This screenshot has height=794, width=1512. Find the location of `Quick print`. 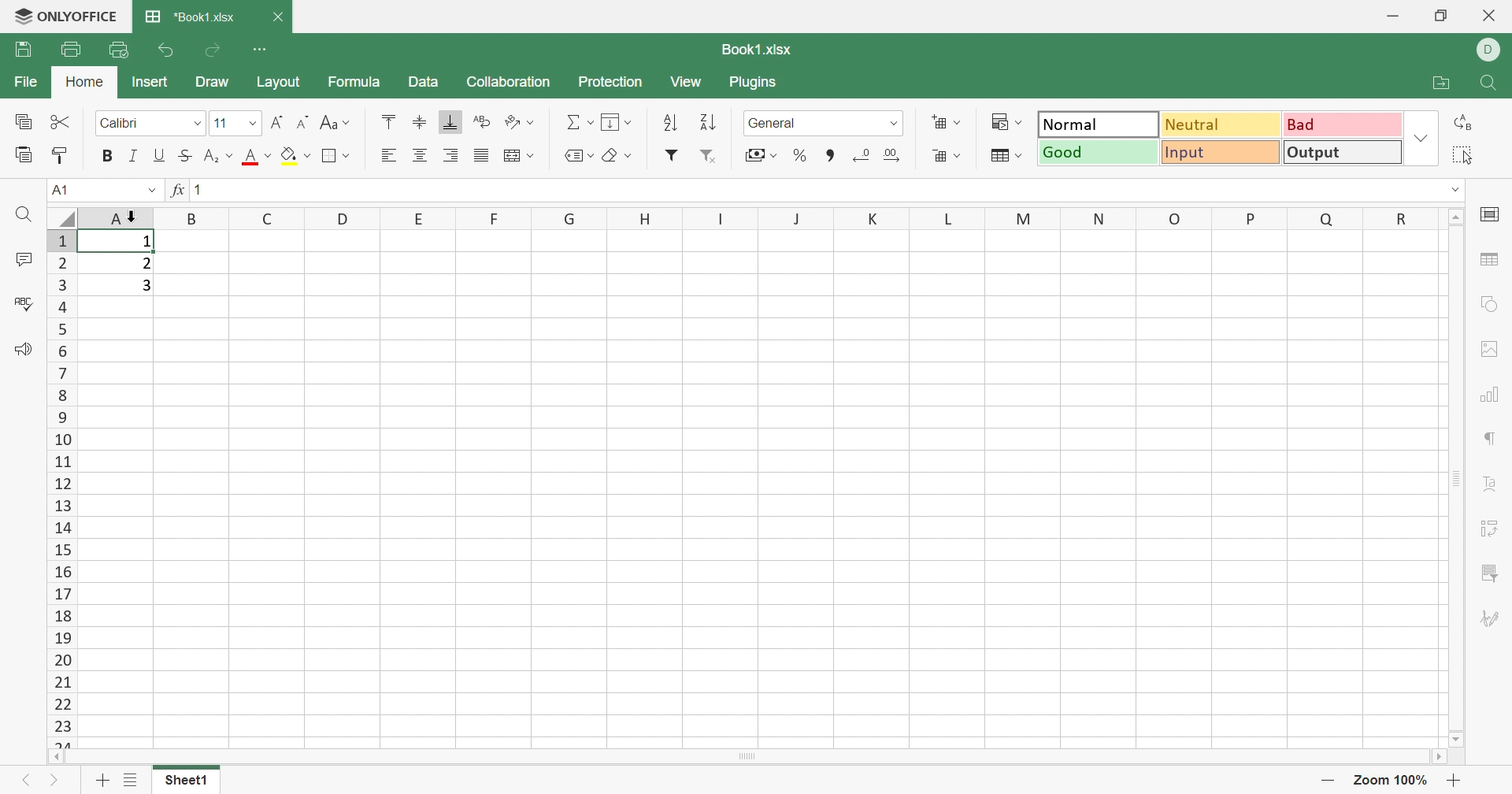

Quick print is located at coordinates (119, 49).